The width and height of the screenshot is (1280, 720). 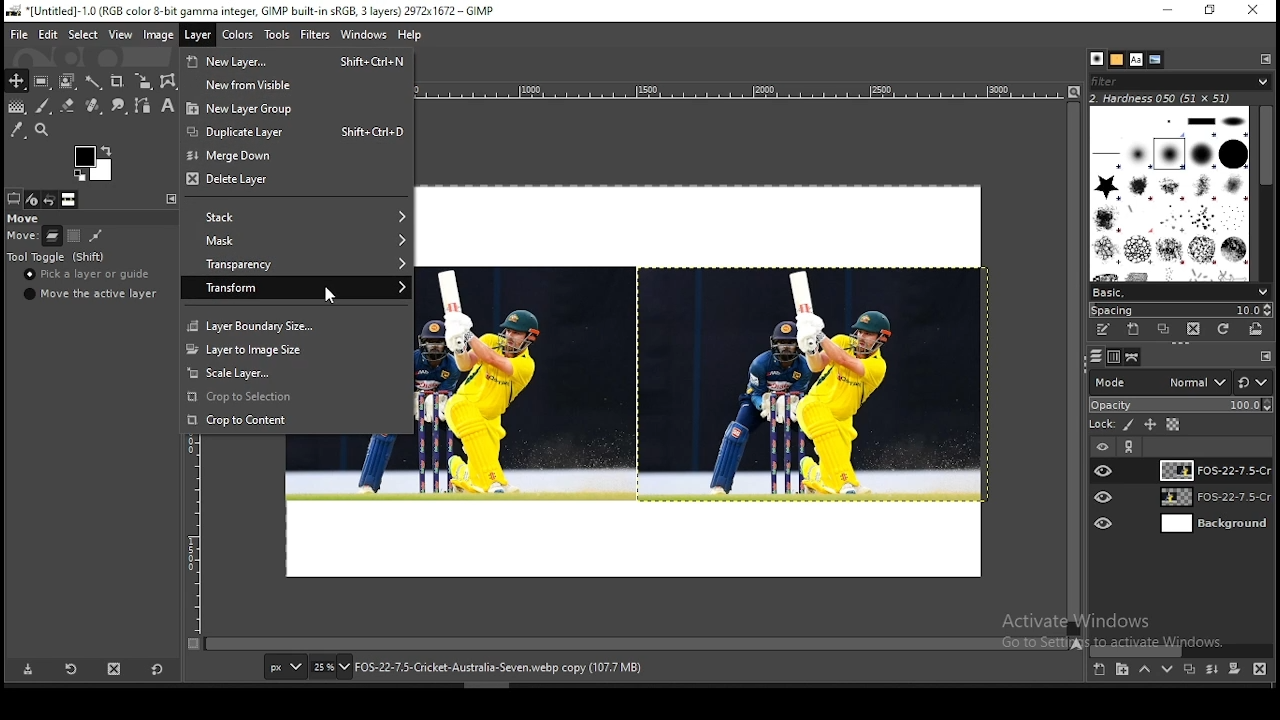 I want to click on layer to image size, so click(x=296, y=348).